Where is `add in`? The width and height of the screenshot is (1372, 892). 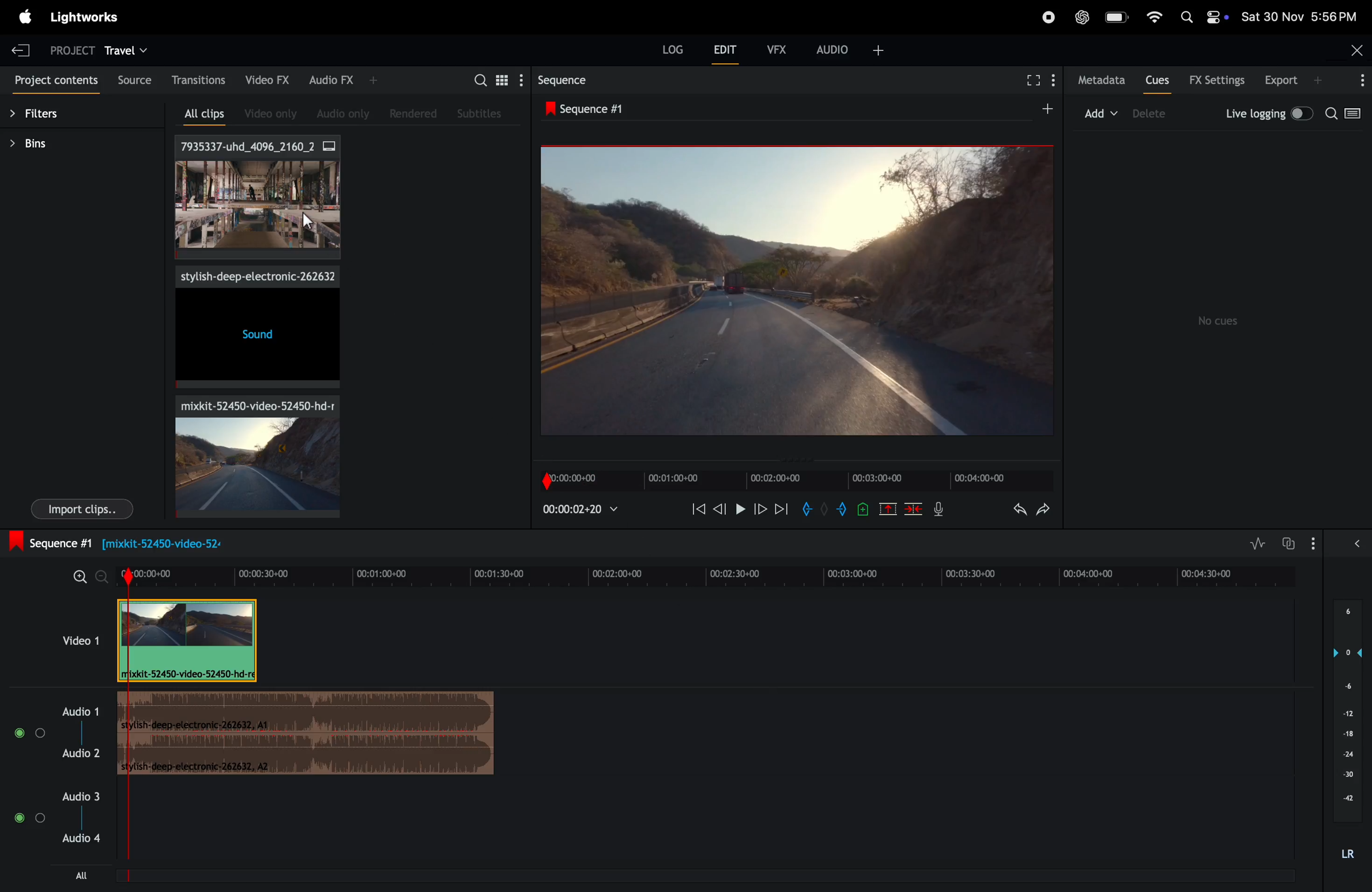 add in is located at coordinates (807, 509).